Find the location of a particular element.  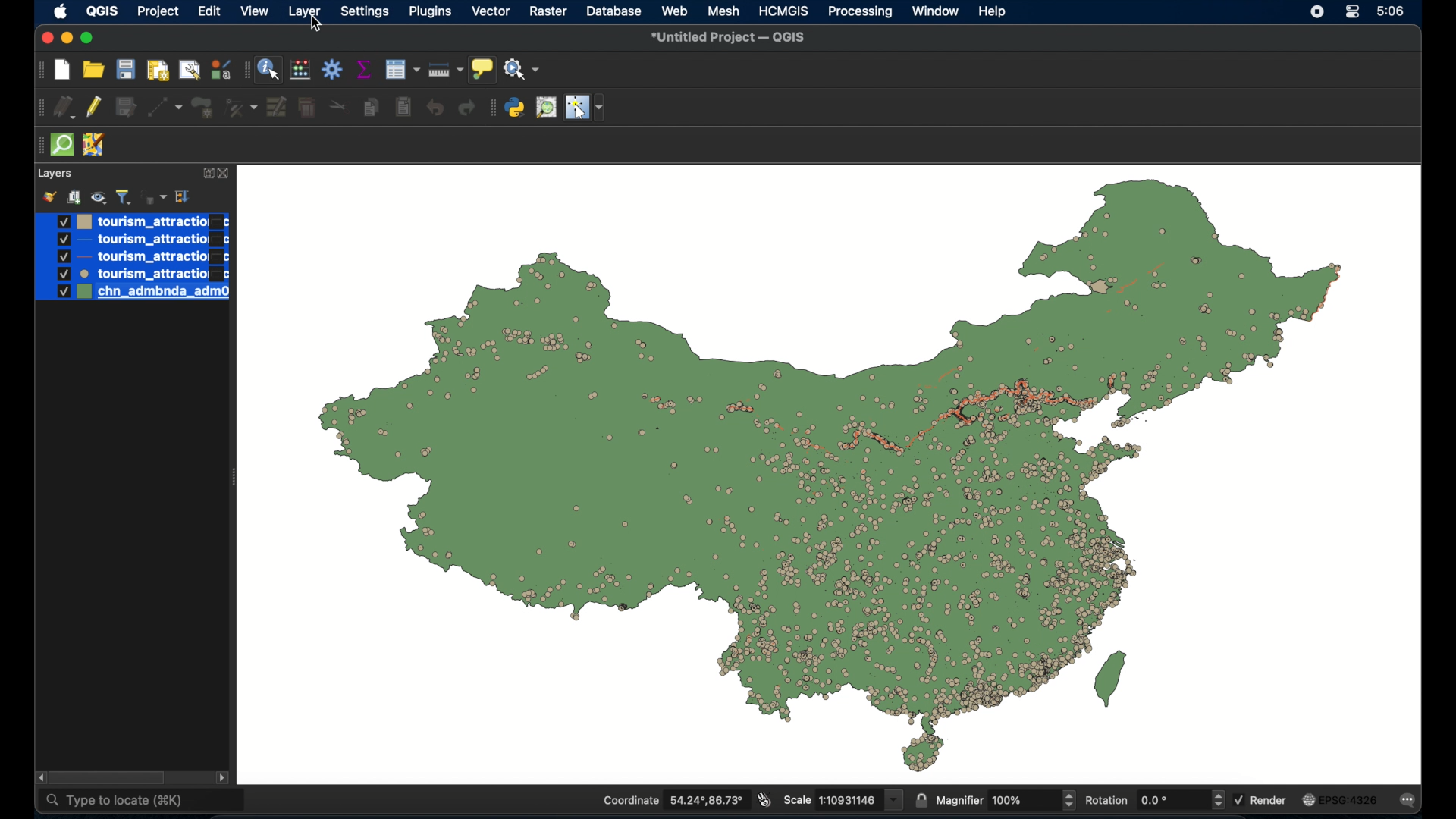

layer 2 is located at coordinates (133, 240).